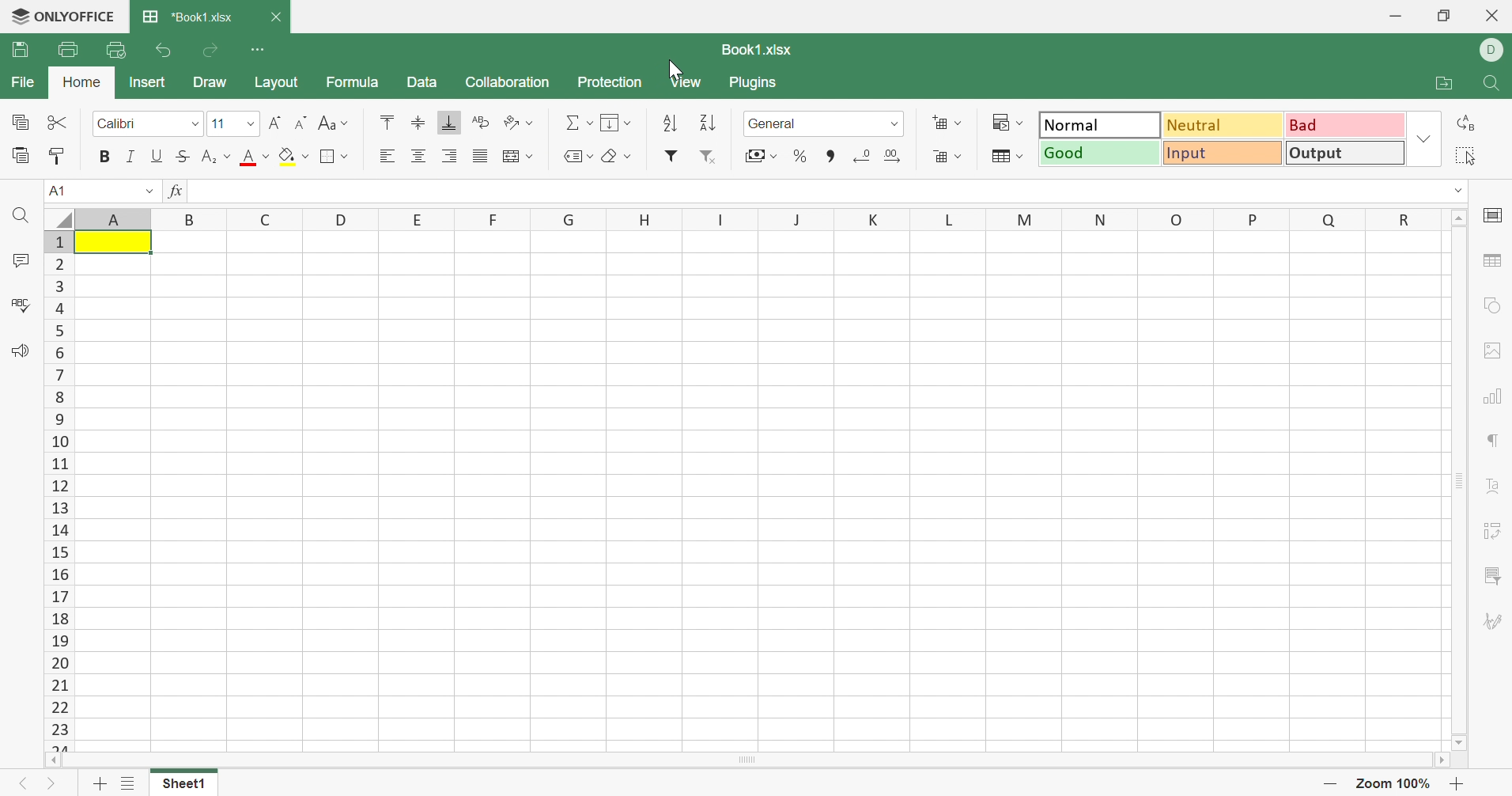 The height and width of the screenshot is (796, 1512). Describe the element at coordinates (1491, 397) in the screenshot. I see `Chart settings` at that location.